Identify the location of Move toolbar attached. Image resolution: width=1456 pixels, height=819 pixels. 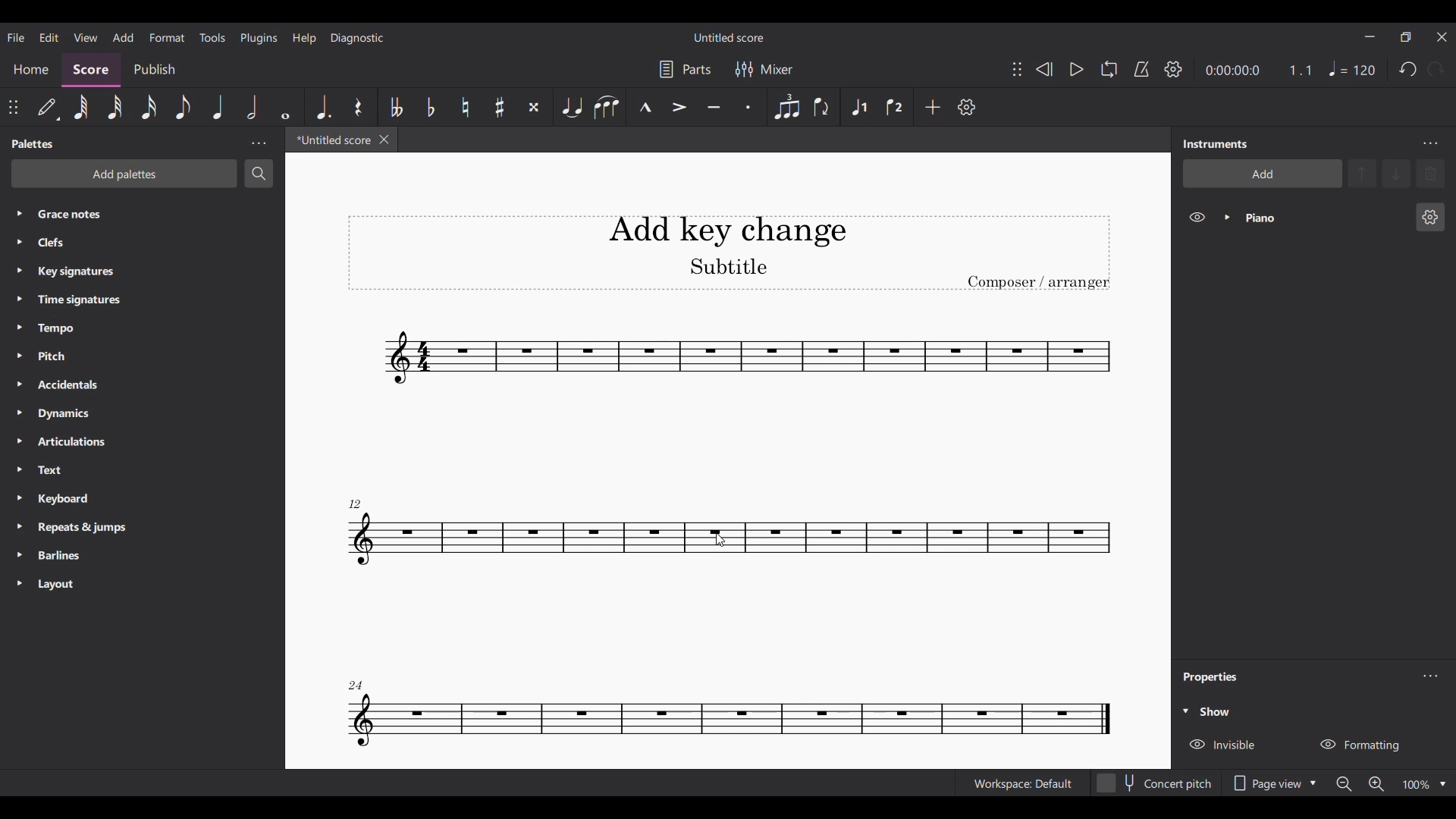
(13, 108).